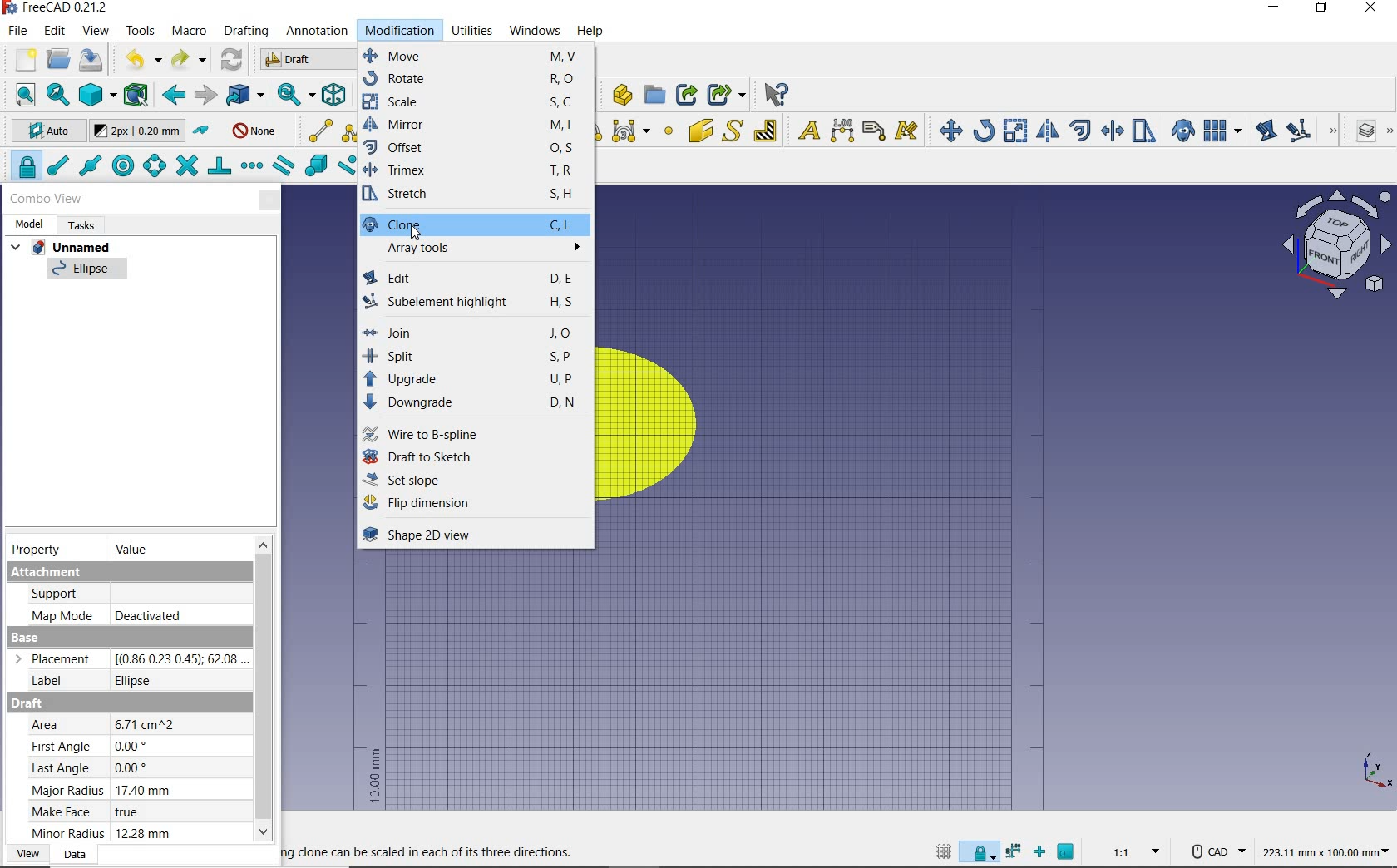 The image size is (1397, 868). Describe the element at coordinates (475, 196) in the screenshot. I see `stretch` at that location.